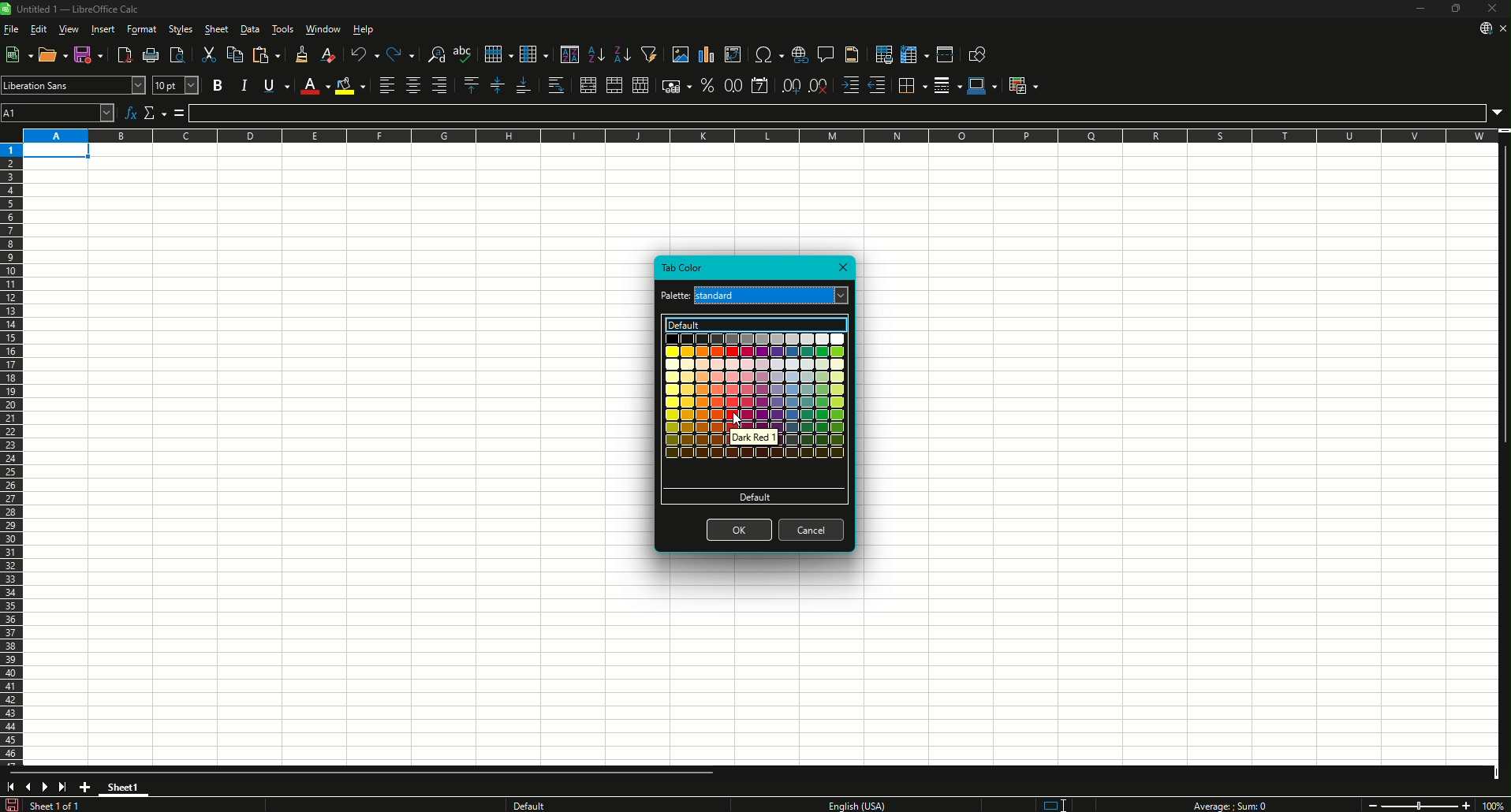  Describe the element at coordinates (842, 295) in the screenshot. I see `Palette options` at that location.